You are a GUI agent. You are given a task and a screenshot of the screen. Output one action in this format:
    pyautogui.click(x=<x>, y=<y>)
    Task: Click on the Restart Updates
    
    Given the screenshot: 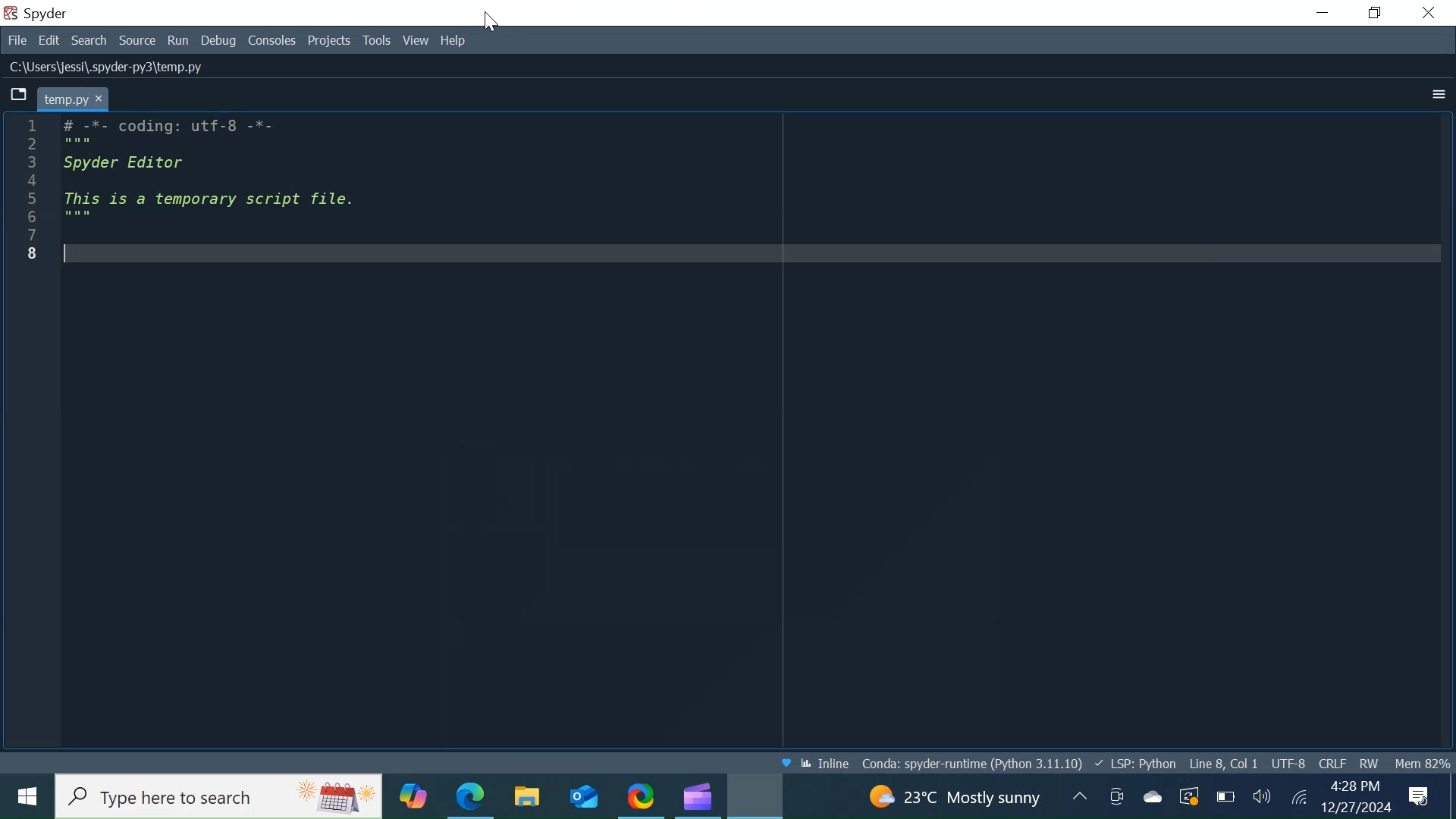 What is the action you would take?
    pyautogui.click(x=1188, y=796)
    